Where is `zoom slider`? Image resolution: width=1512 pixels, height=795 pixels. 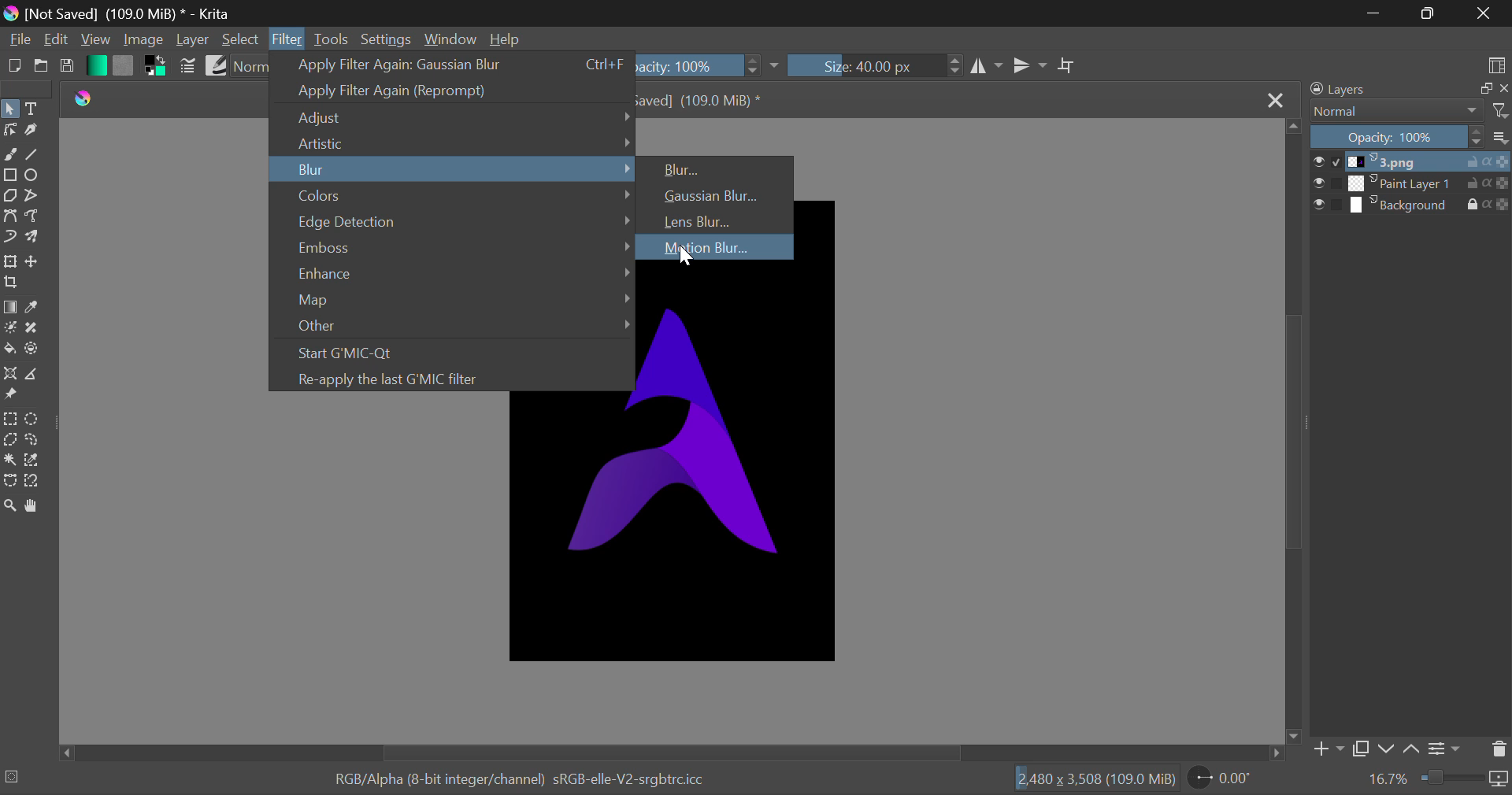 zoom slider is located at coordinates (1465, 779).